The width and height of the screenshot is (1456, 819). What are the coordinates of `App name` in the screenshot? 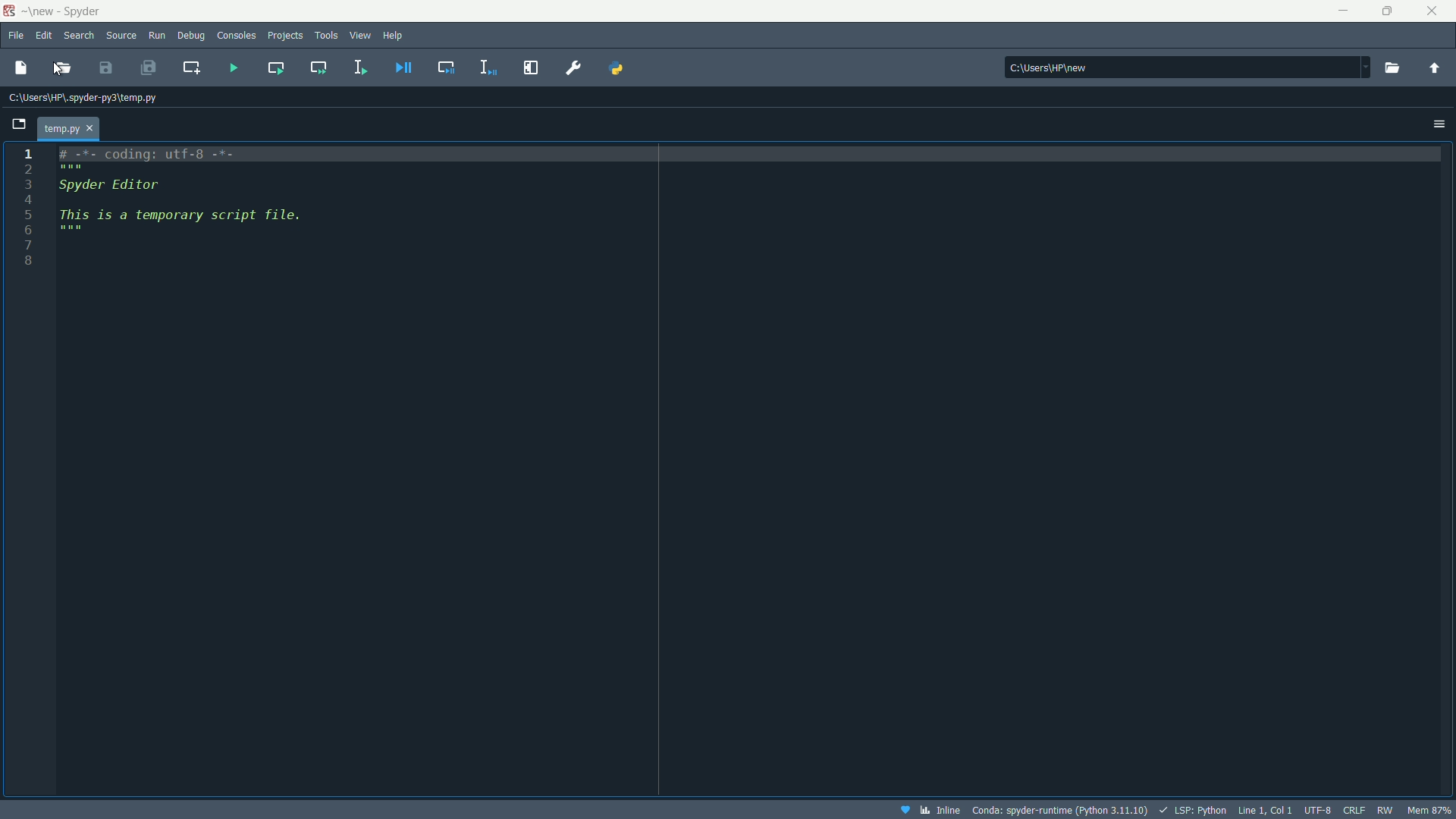 It's located at (70, 11).